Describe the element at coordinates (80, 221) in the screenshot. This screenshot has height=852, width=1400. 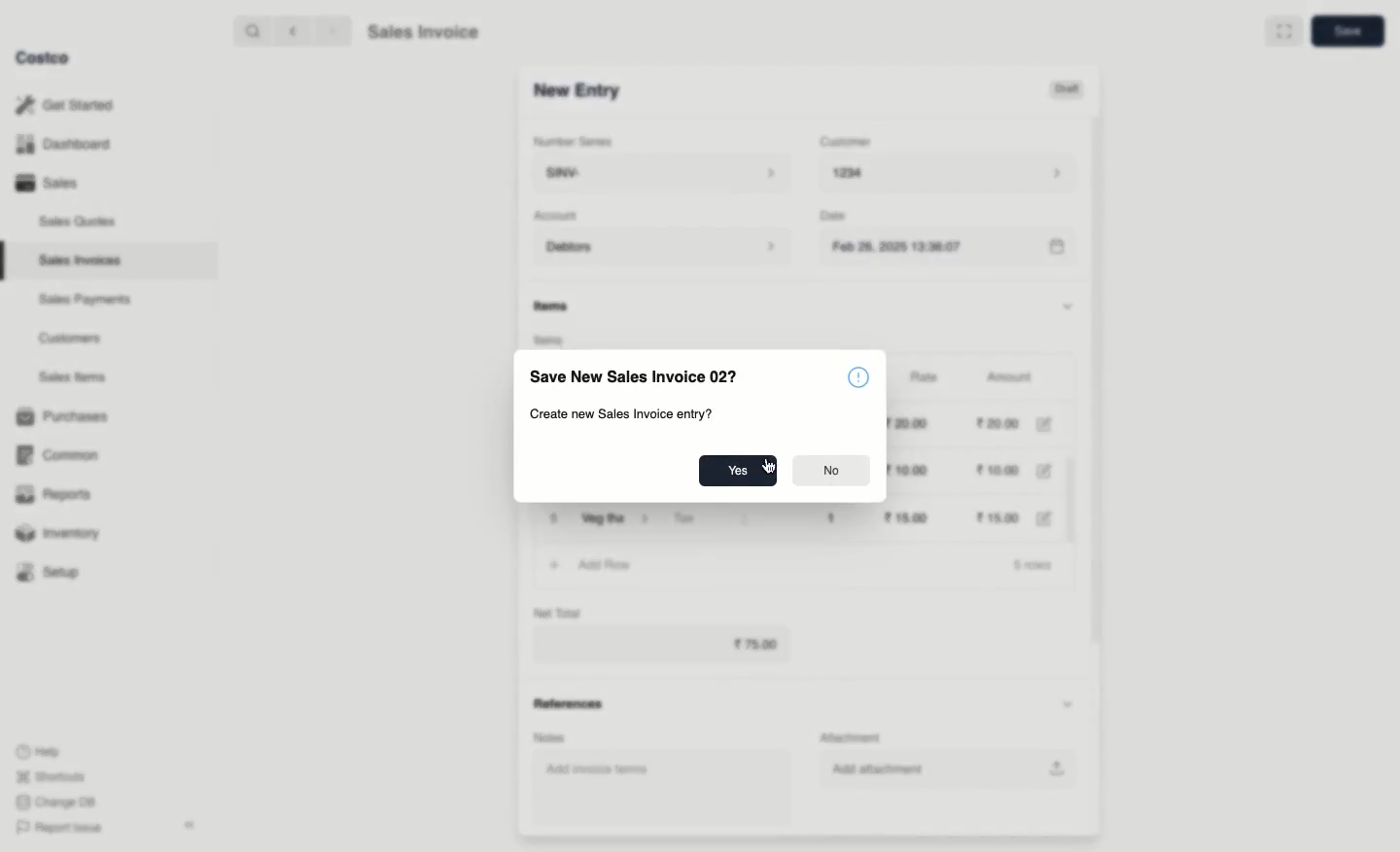
I see `Sales Quotes` at that location.